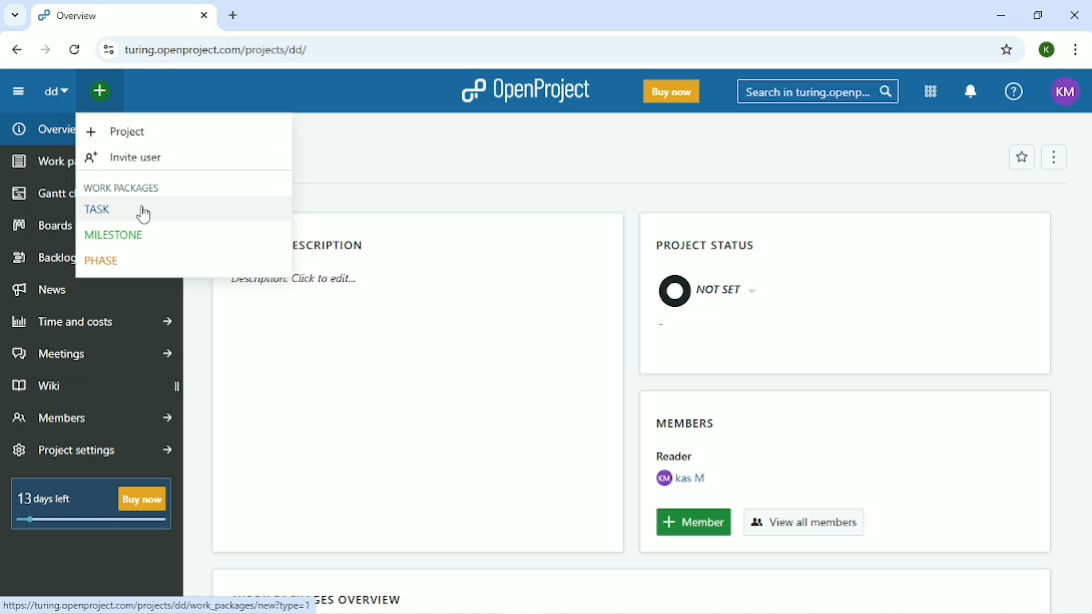  What do you see at coordinates (76, 50) in the screenshot?
I see `Reload this page` at bounding box center [76, 50].